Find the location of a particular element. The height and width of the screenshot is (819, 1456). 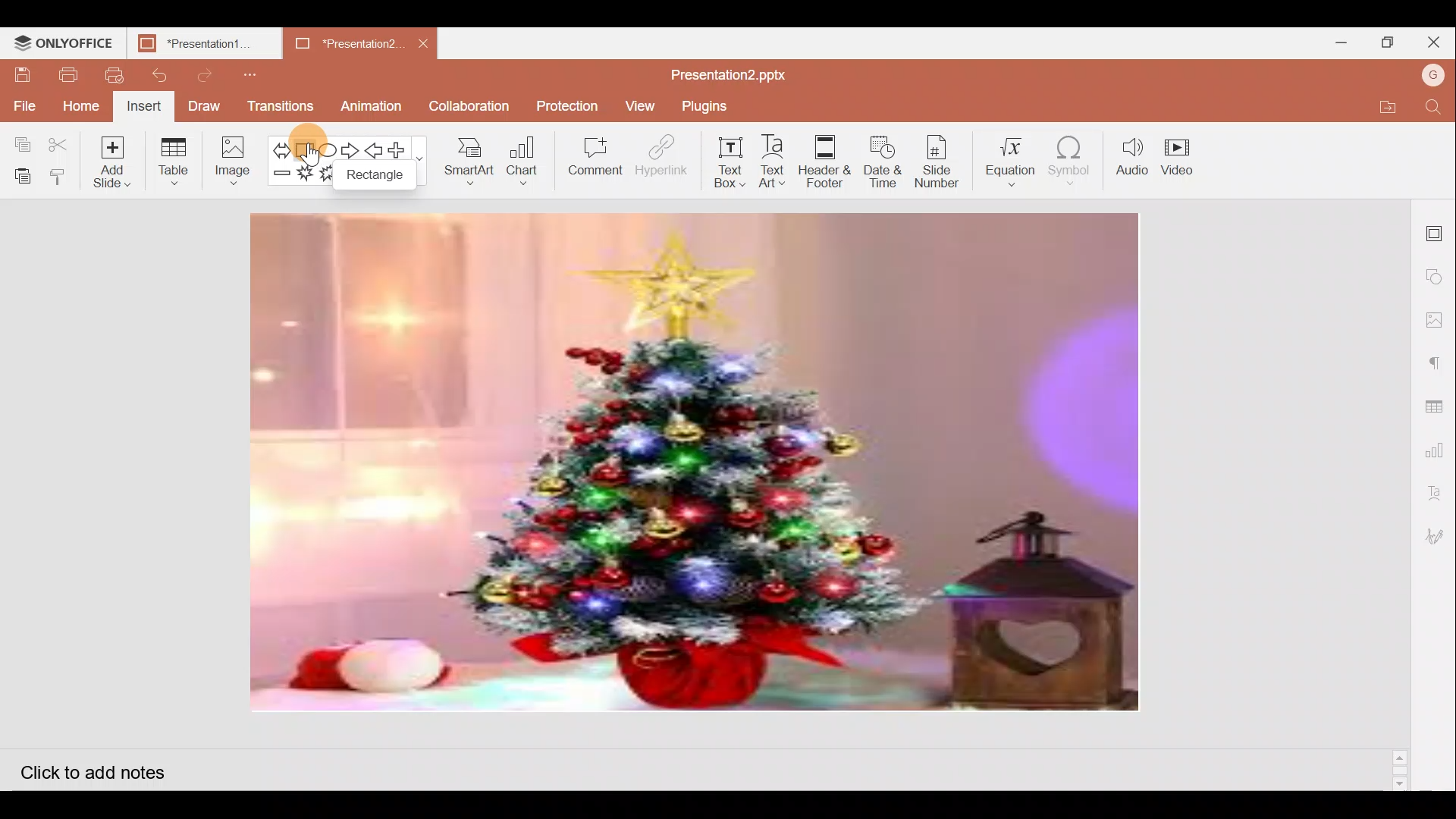

Comment is located at coordinates (592, 157).